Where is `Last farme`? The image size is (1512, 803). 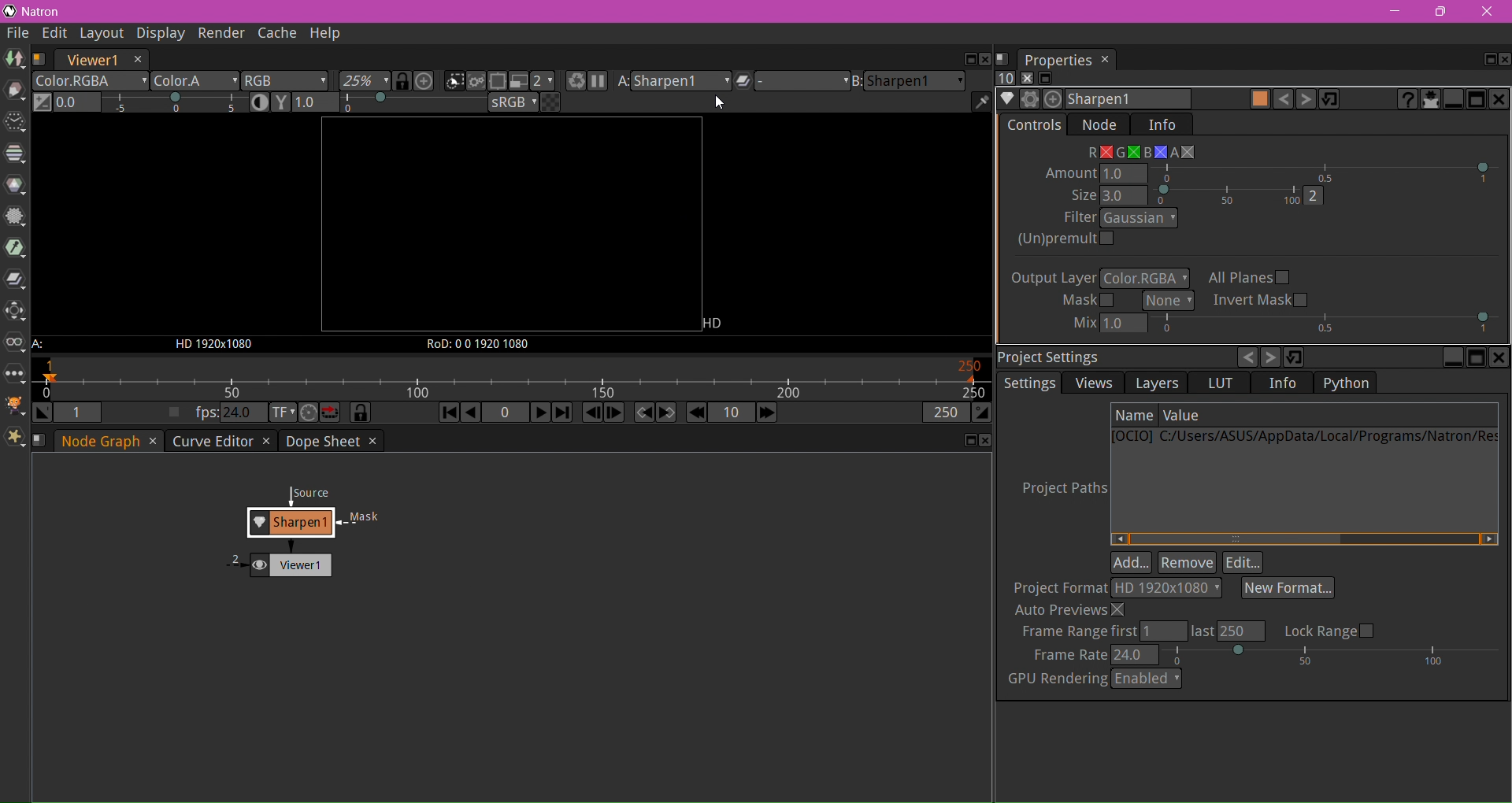 Last farme is located at coordinates (561, 413).